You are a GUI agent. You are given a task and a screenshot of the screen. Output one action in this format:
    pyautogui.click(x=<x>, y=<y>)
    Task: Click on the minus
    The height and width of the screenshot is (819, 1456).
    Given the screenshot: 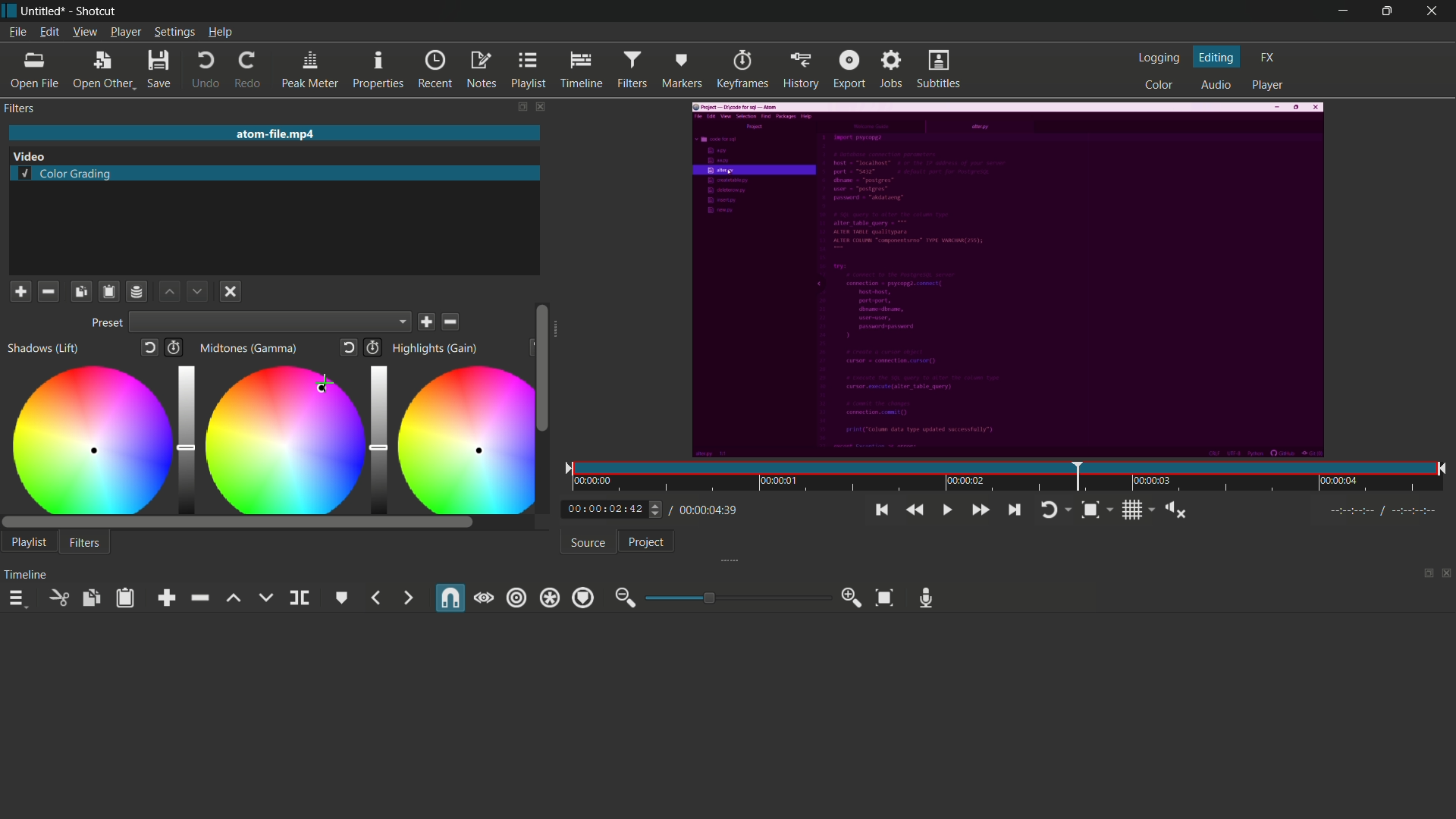 What is the action you would take?
    pyautogui.click(x=47, y=290)
    